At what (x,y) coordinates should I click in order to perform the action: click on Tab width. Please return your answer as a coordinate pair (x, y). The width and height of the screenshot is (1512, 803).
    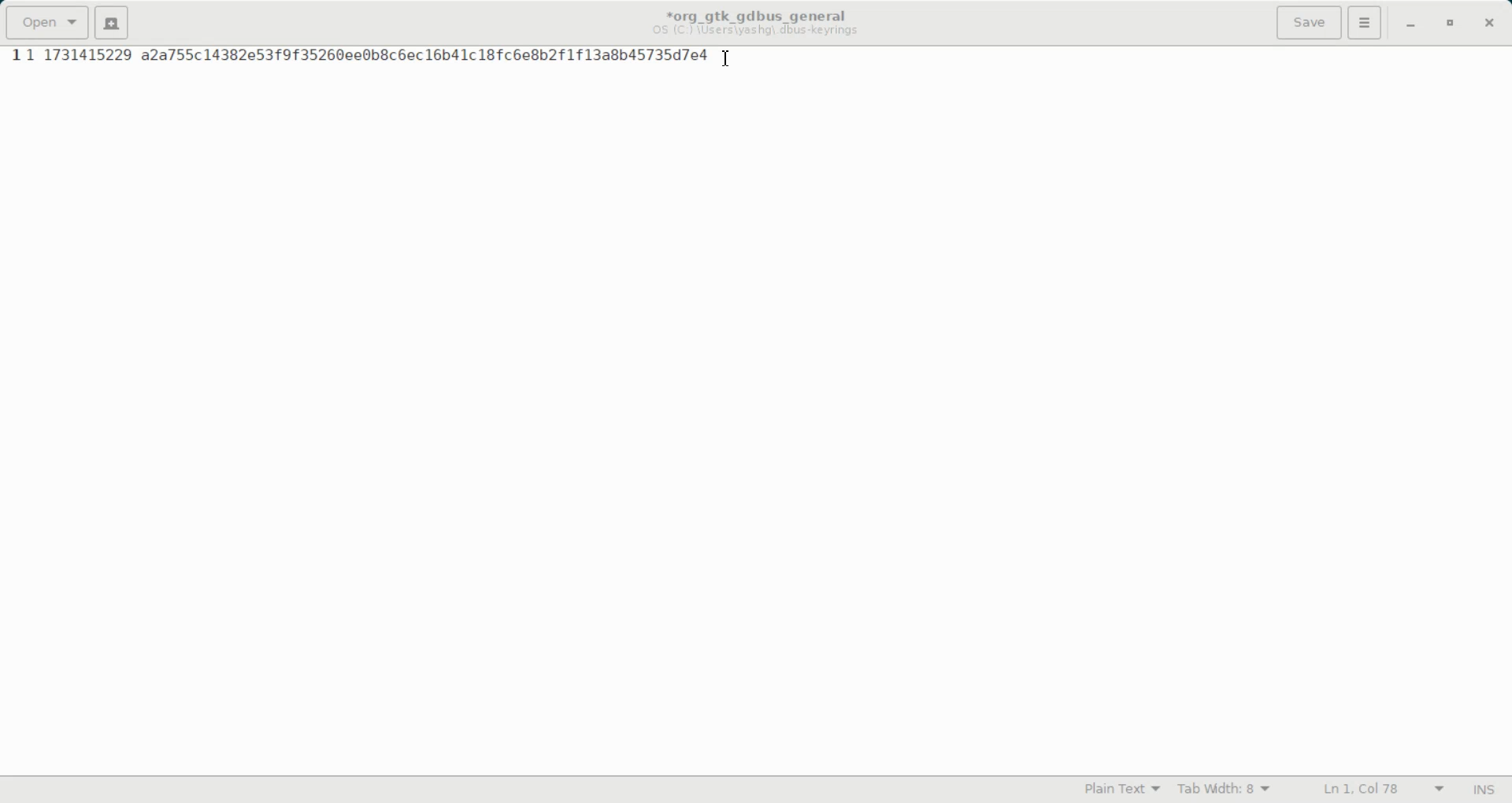
    Looking at the image, I should click on (1225, 790).